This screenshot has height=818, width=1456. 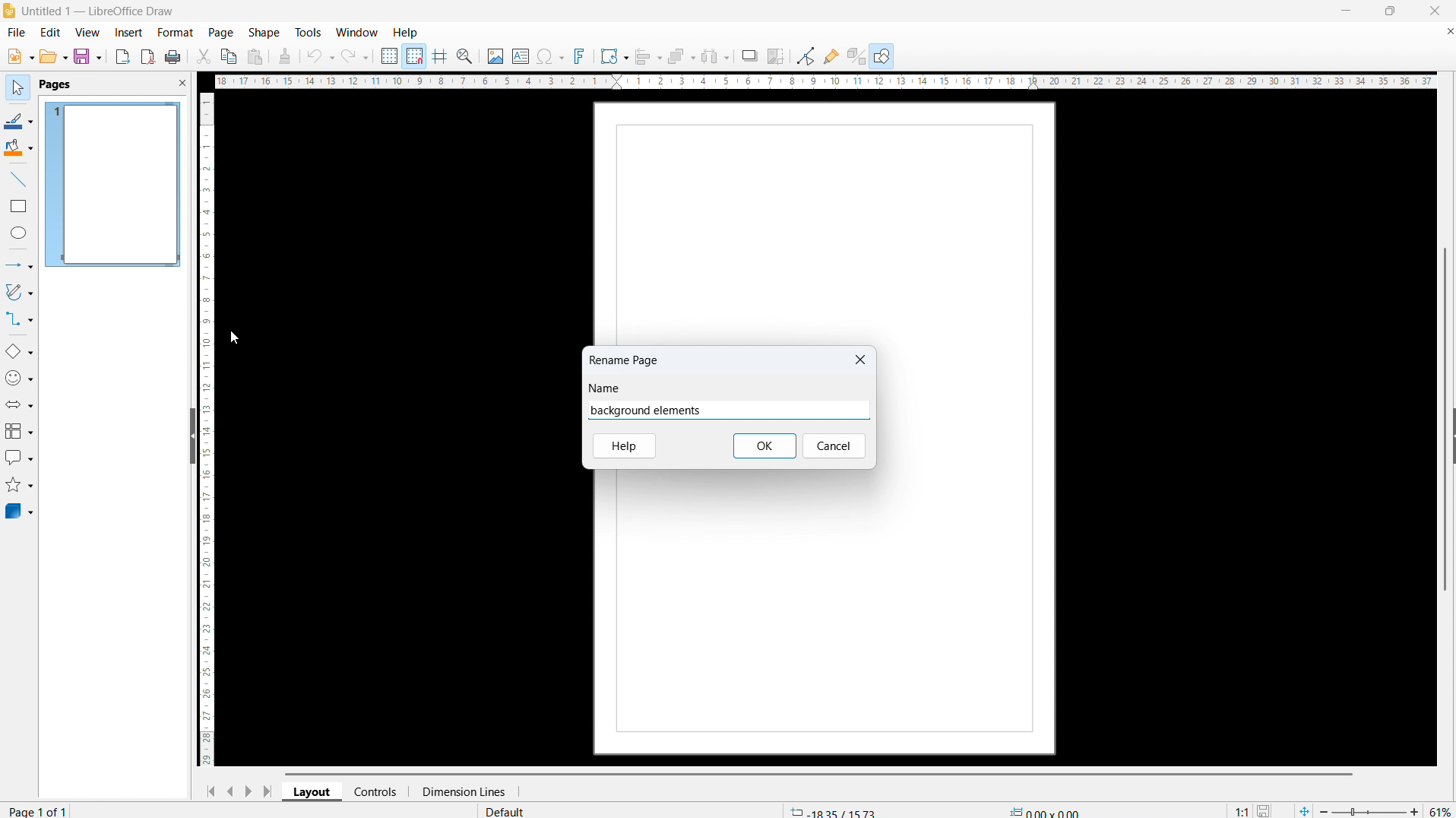 I want to click on show draw functions, so click(x=883, y=56).